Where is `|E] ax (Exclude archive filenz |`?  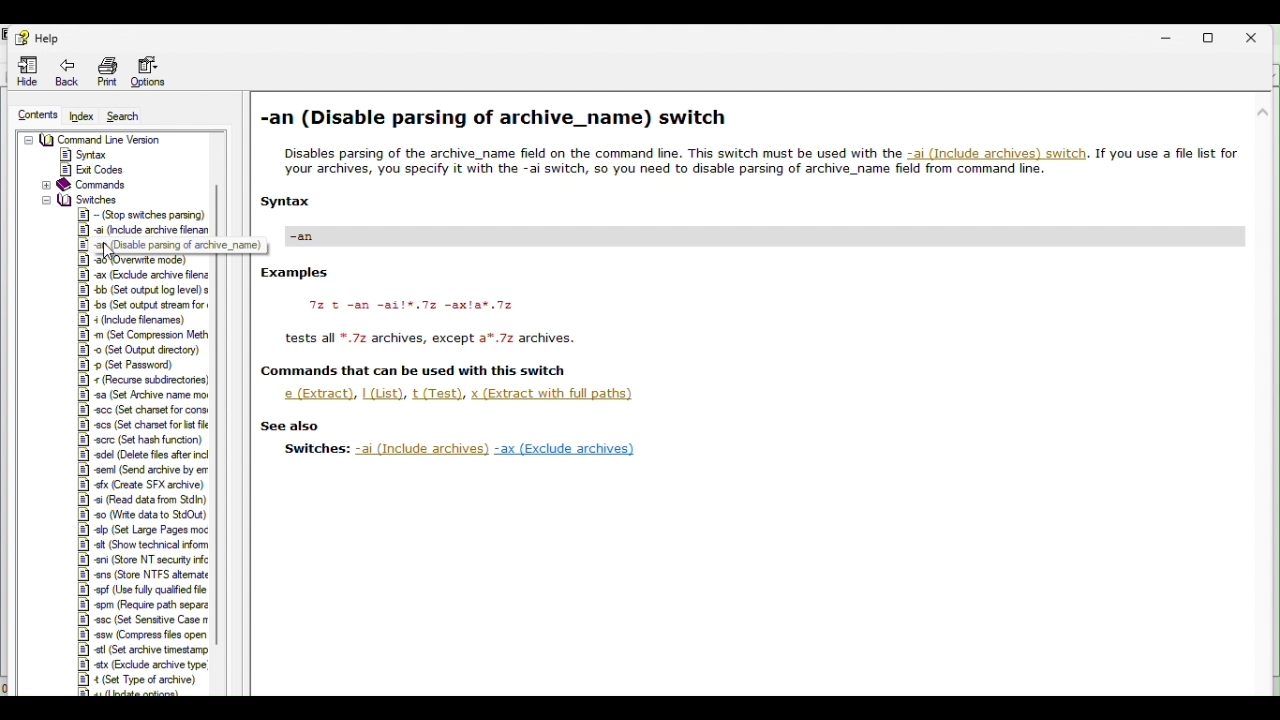 |E] ax (Exclude archive filenz | is located at coordinates (146, 276).